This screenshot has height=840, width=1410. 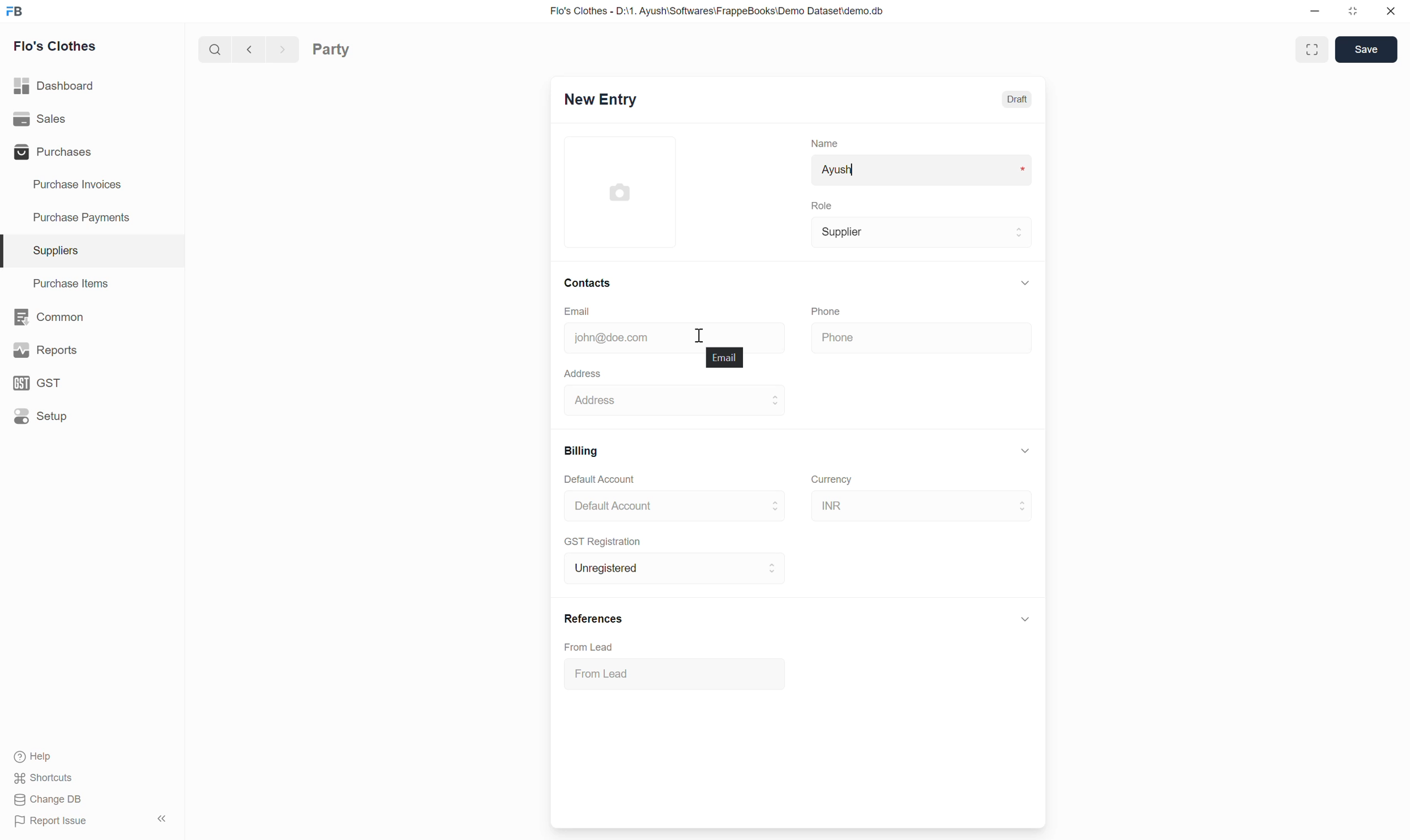 What do you see at coordinates (600, 100) in the screenshot?
I see `New Entry` at bounding box center [600, 100].